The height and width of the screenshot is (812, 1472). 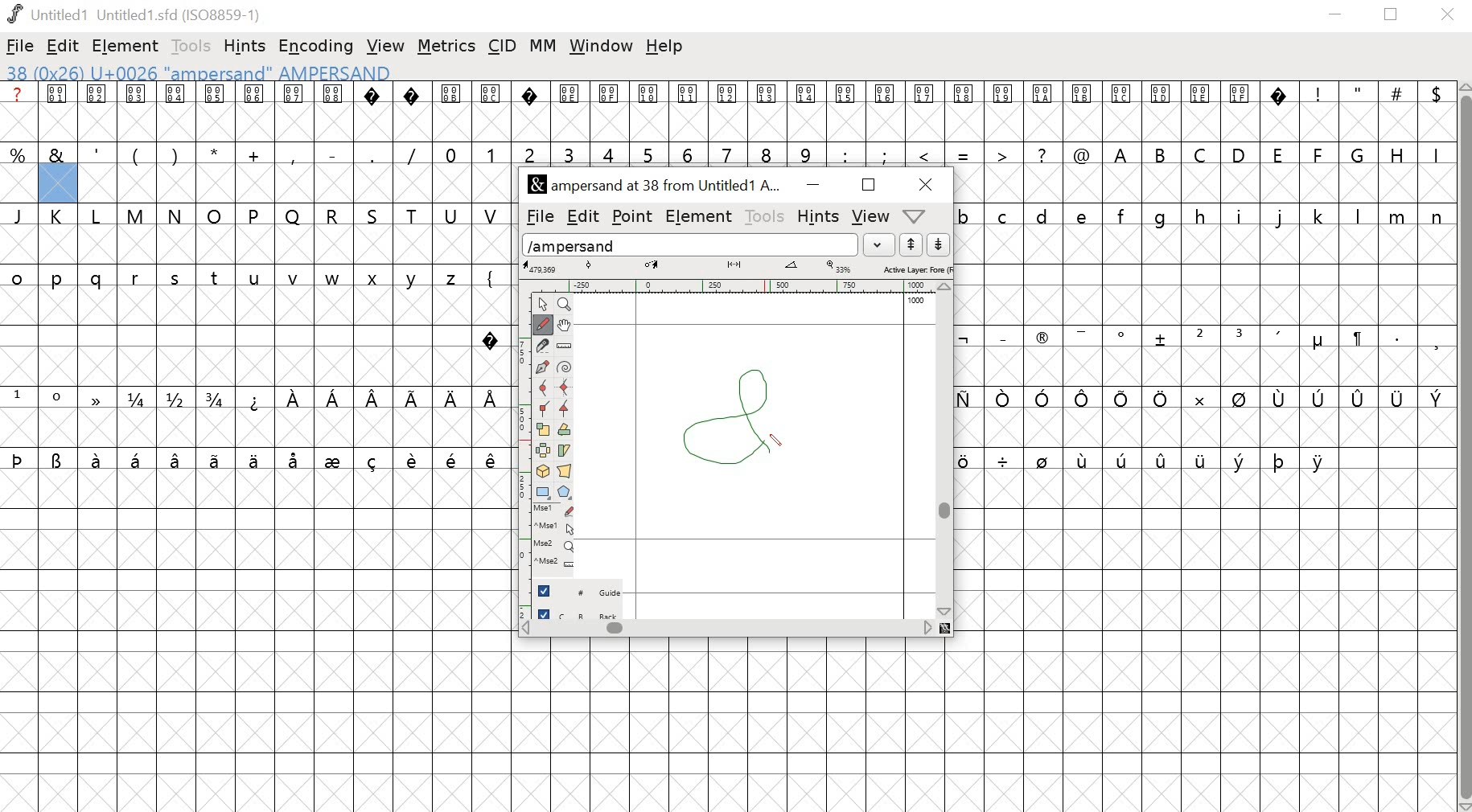 What do you see at coordinates (175, 154) in the screenshot?
I see `)` at bounding box center [175, 154].